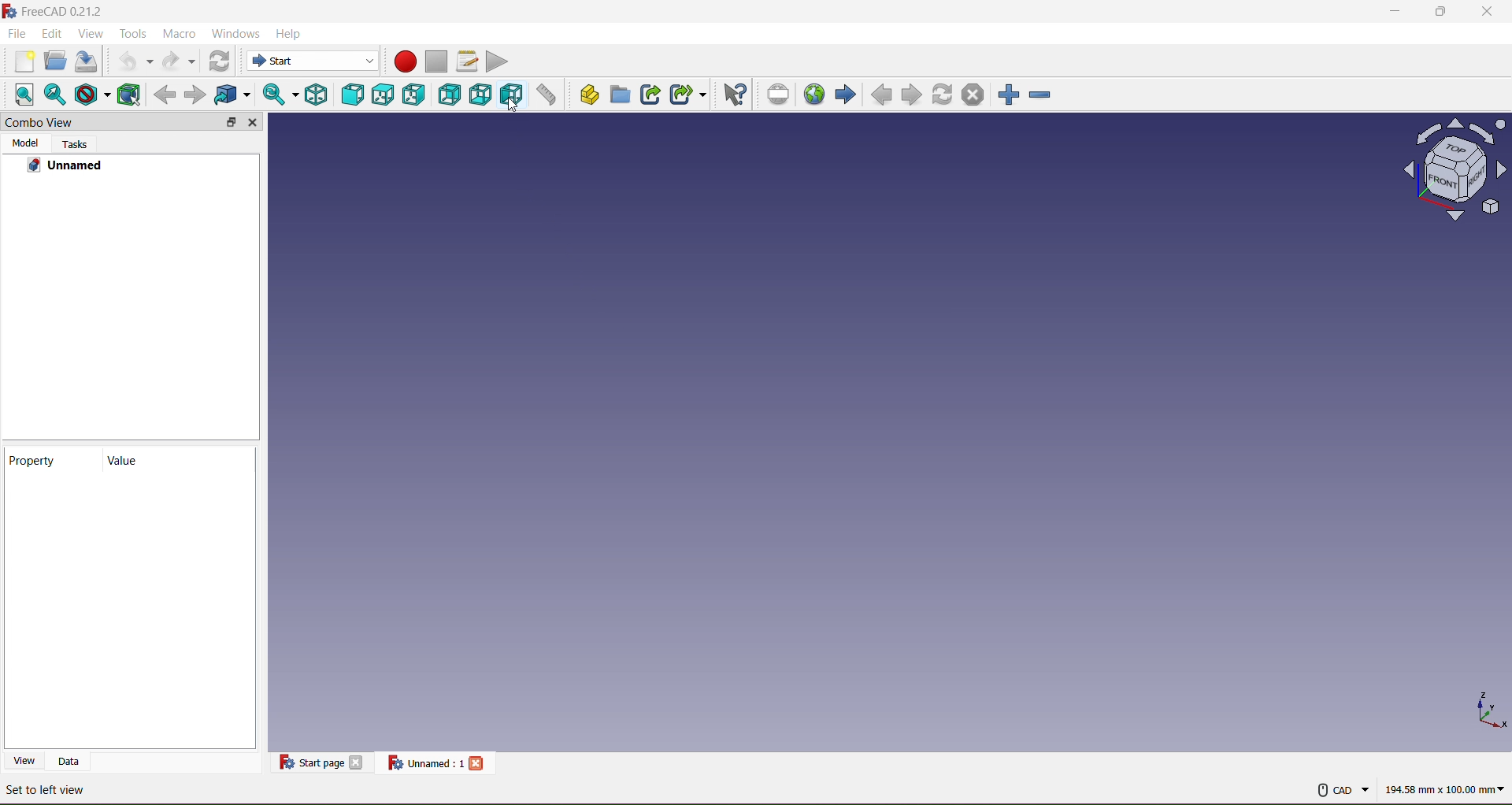 This screenshot has height=805, width=1512. Describe the element at coordinates (1489, 709) in the screenshot. I see `Axis` at that location.